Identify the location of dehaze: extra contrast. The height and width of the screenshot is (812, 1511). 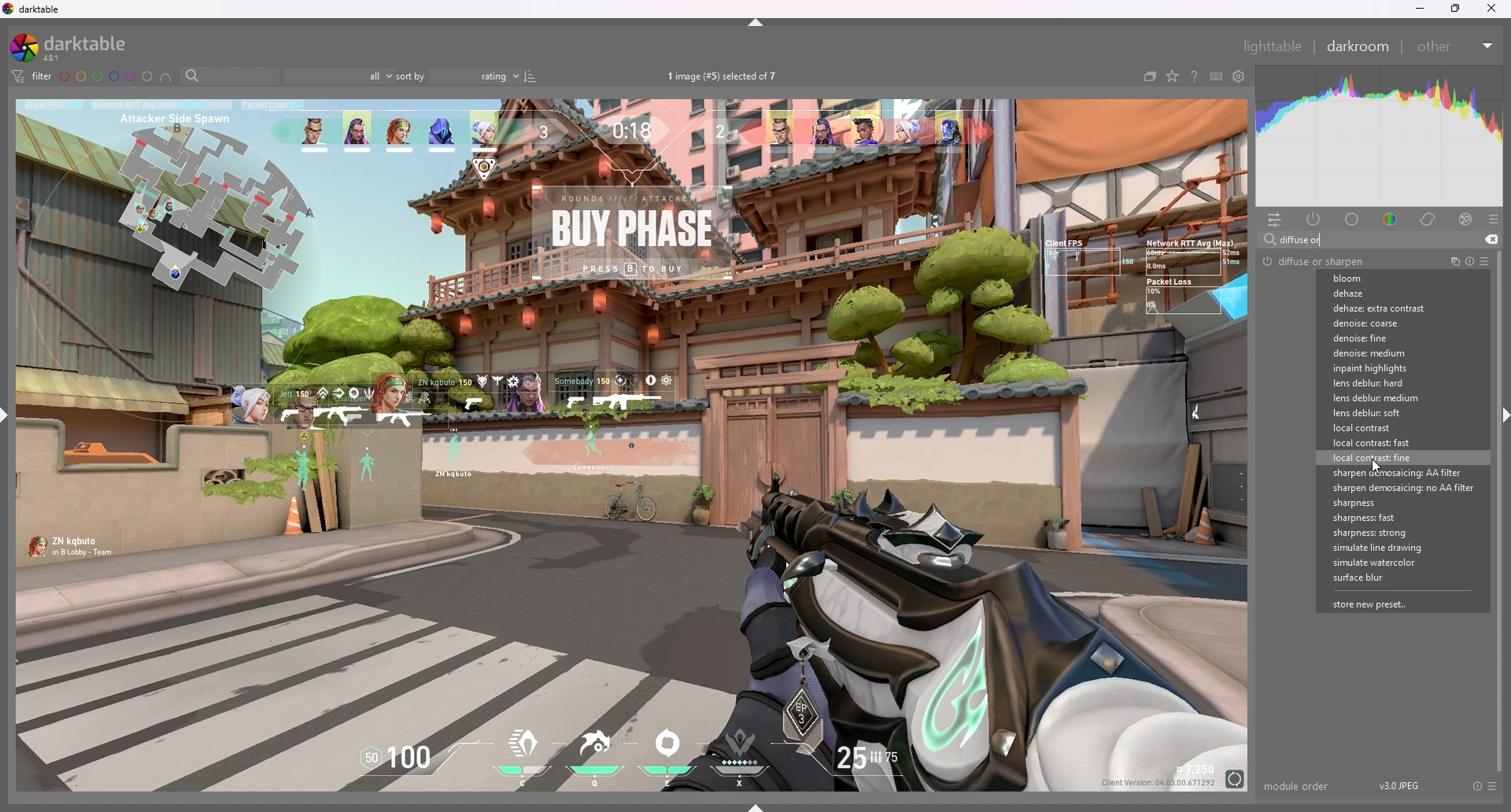
(1380, 308).